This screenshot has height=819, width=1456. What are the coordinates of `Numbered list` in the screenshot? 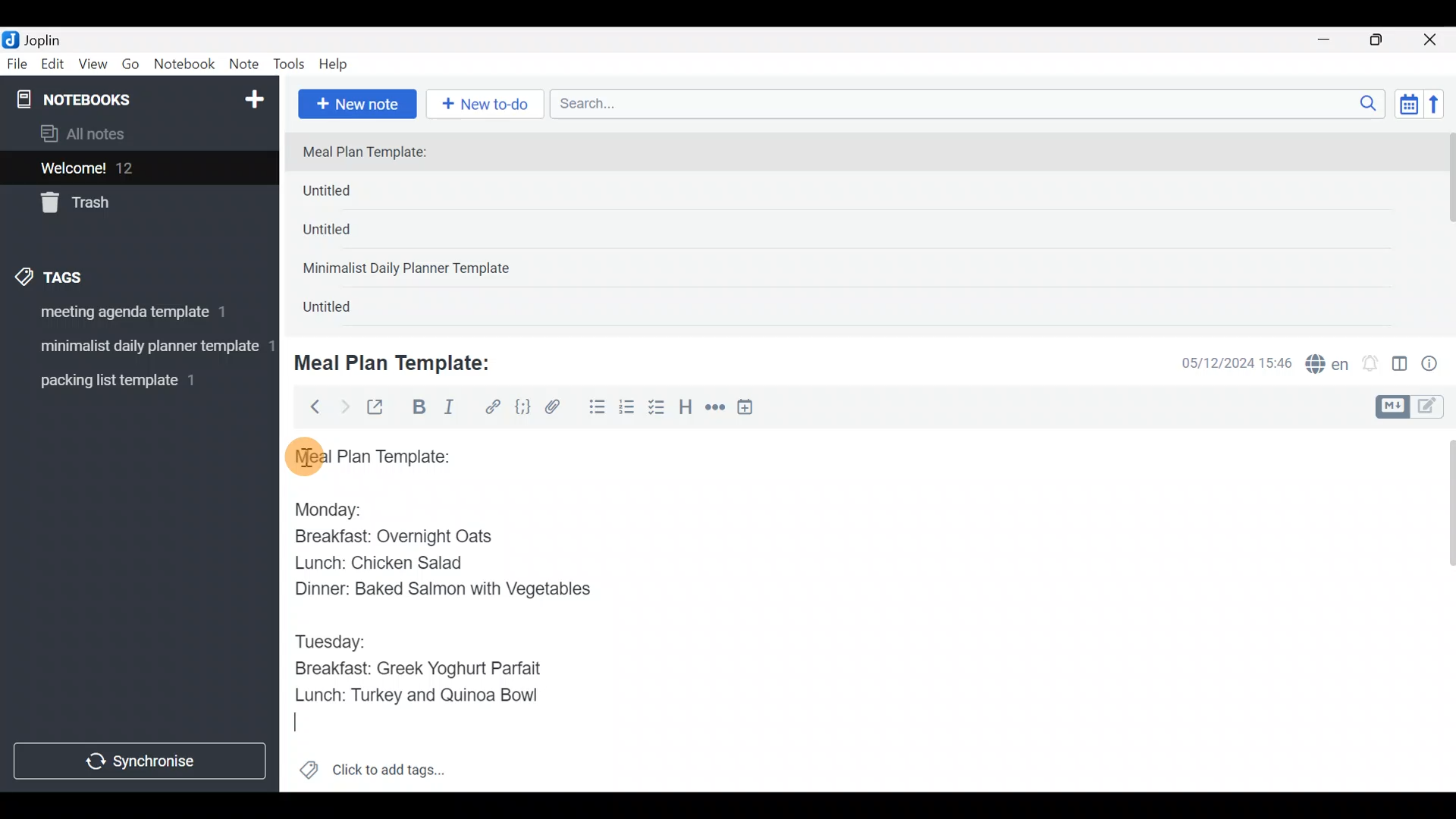 It's located at (627, 410).